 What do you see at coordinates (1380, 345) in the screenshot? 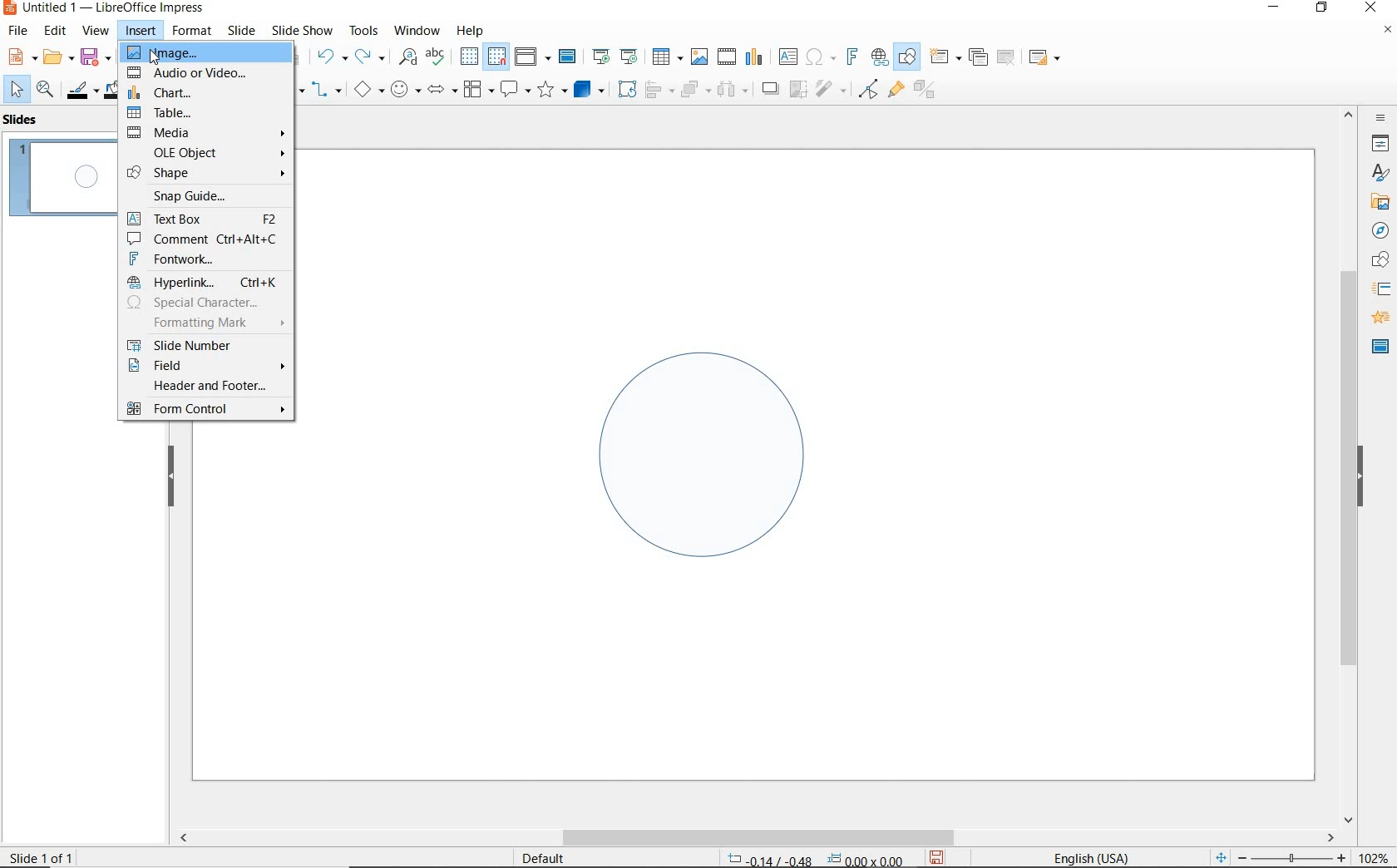
I see `master slide` at bounding box center [1380, 345].